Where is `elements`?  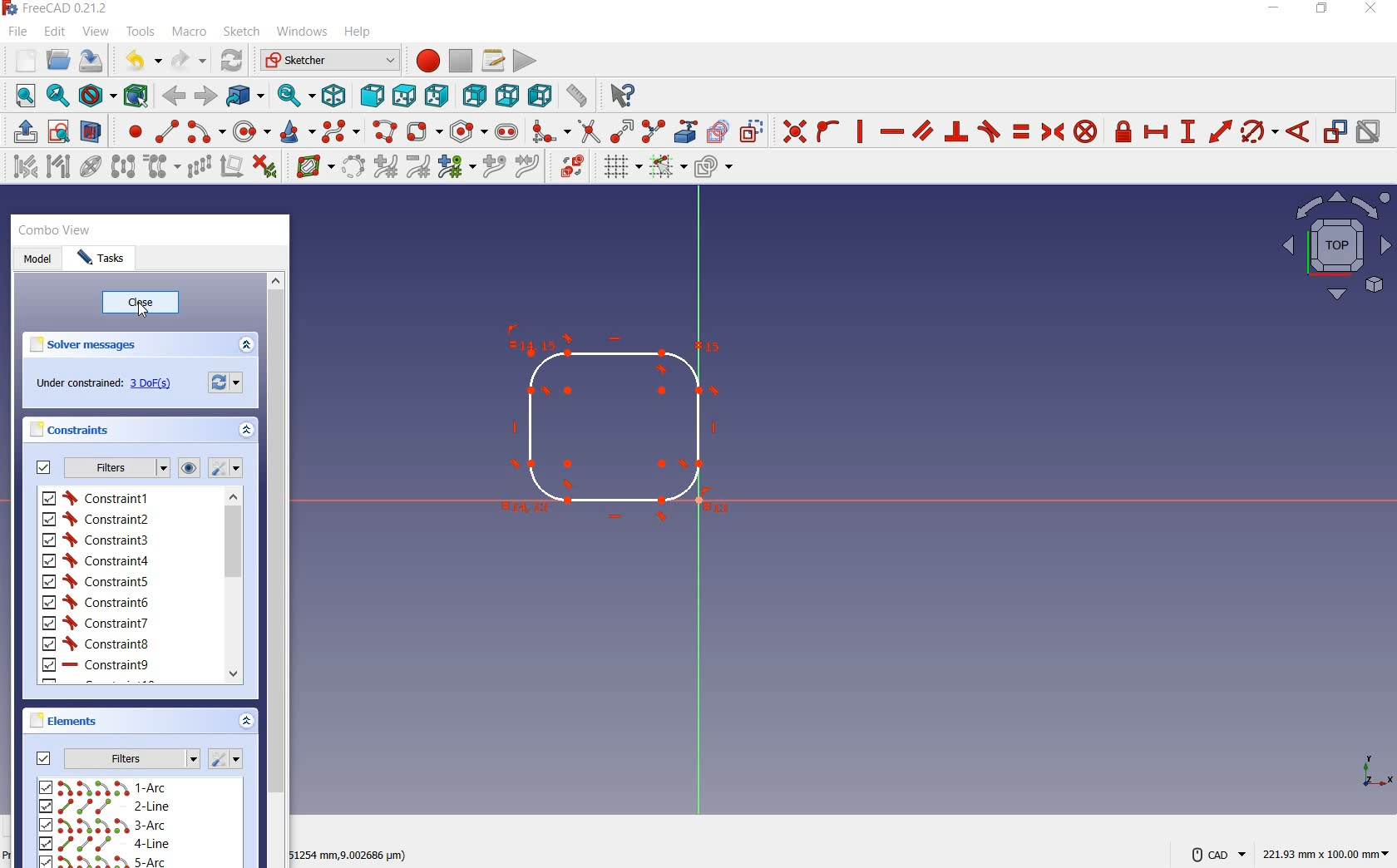
elements is located at coordinates (96, 723).